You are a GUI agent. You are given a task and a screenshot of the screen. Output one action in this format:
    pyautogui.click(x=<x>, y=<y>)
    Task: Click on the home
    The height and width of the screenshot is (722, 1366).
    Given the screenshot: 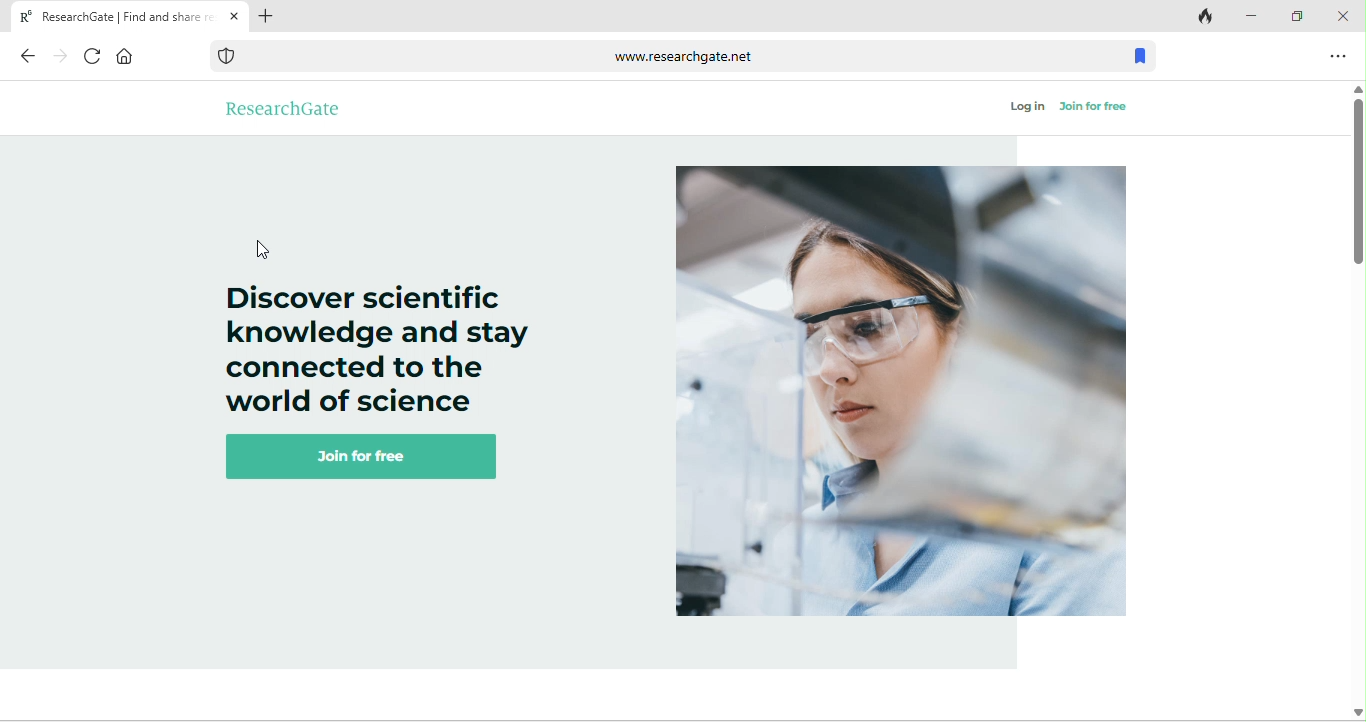 What is the action you would take?
    pyautogui.click(x=123, y=57)
    